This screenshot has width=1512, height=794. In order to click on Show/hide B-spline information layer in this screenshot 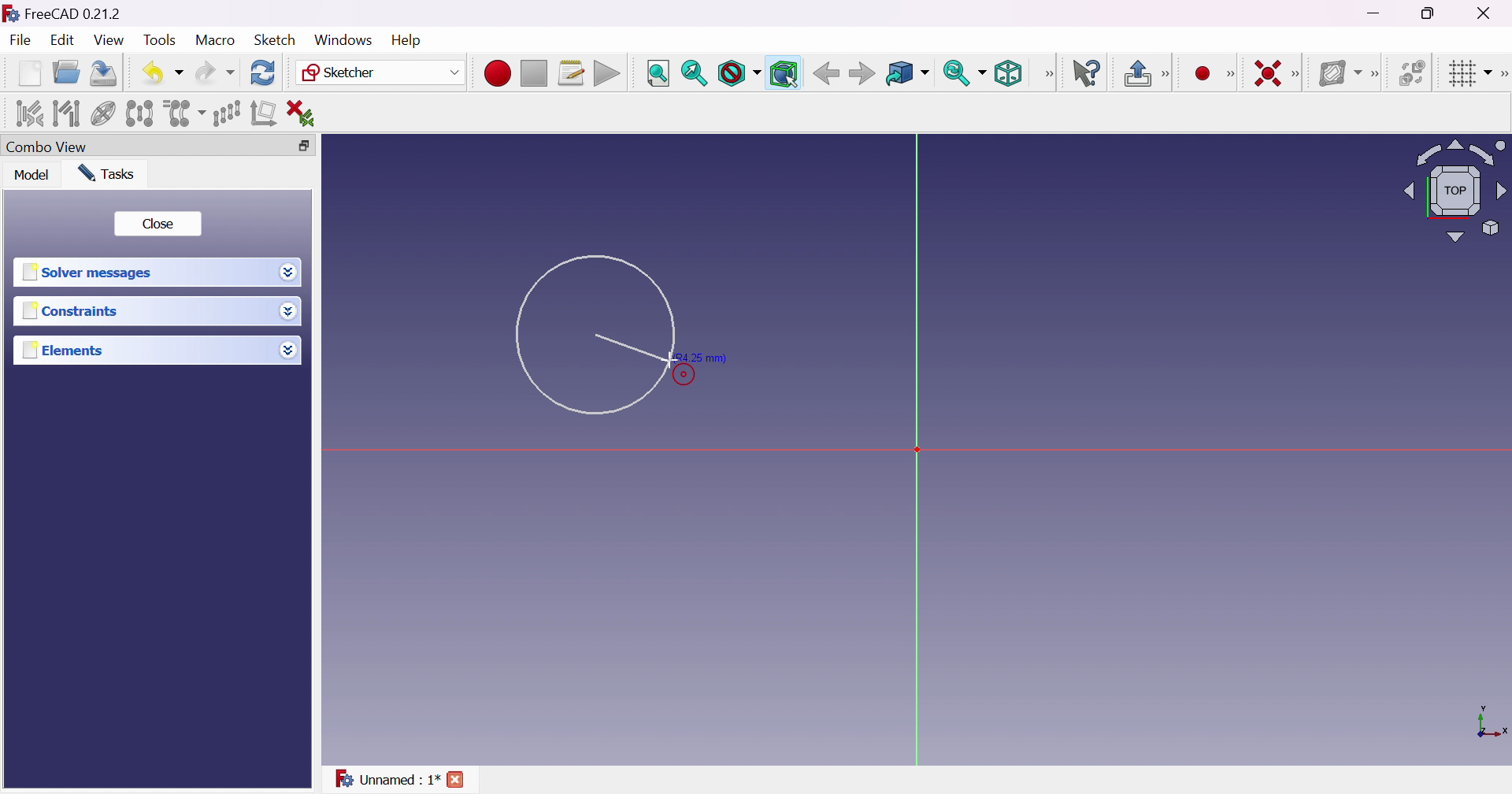, I will do `click(1340, 74)`.